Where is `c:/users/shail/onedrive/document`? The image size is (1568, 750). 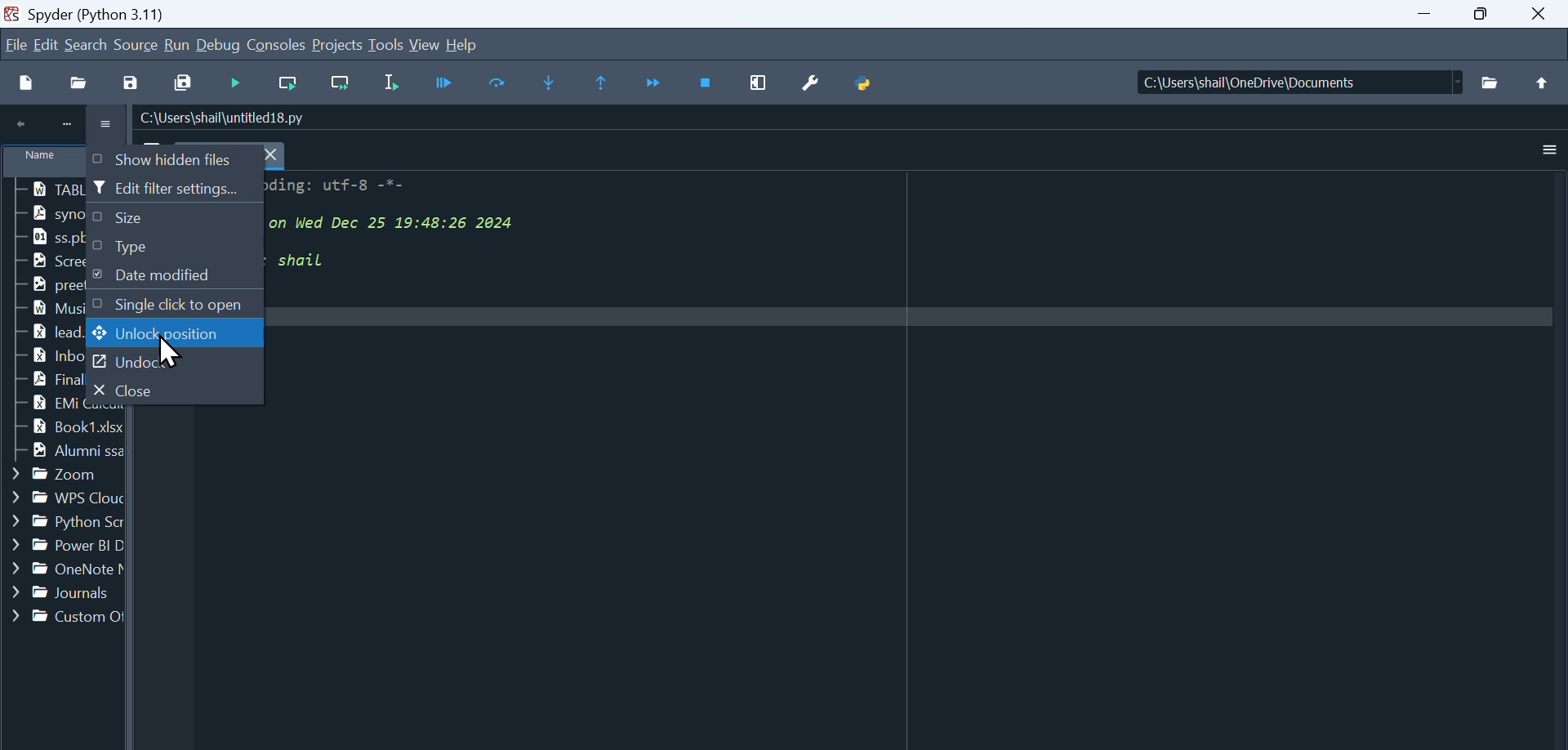 c:/users/shail/onedrive/document is located at coordinates (1285, 84).